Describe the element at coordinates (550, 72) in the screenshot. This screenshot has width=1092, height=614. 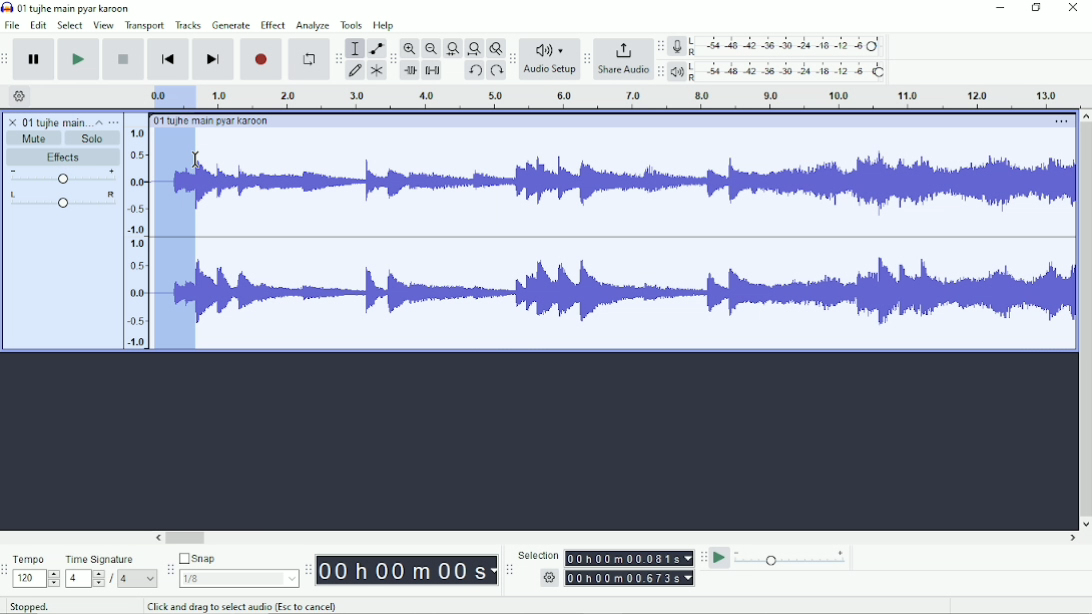
I see `Audio Setup` at that location.